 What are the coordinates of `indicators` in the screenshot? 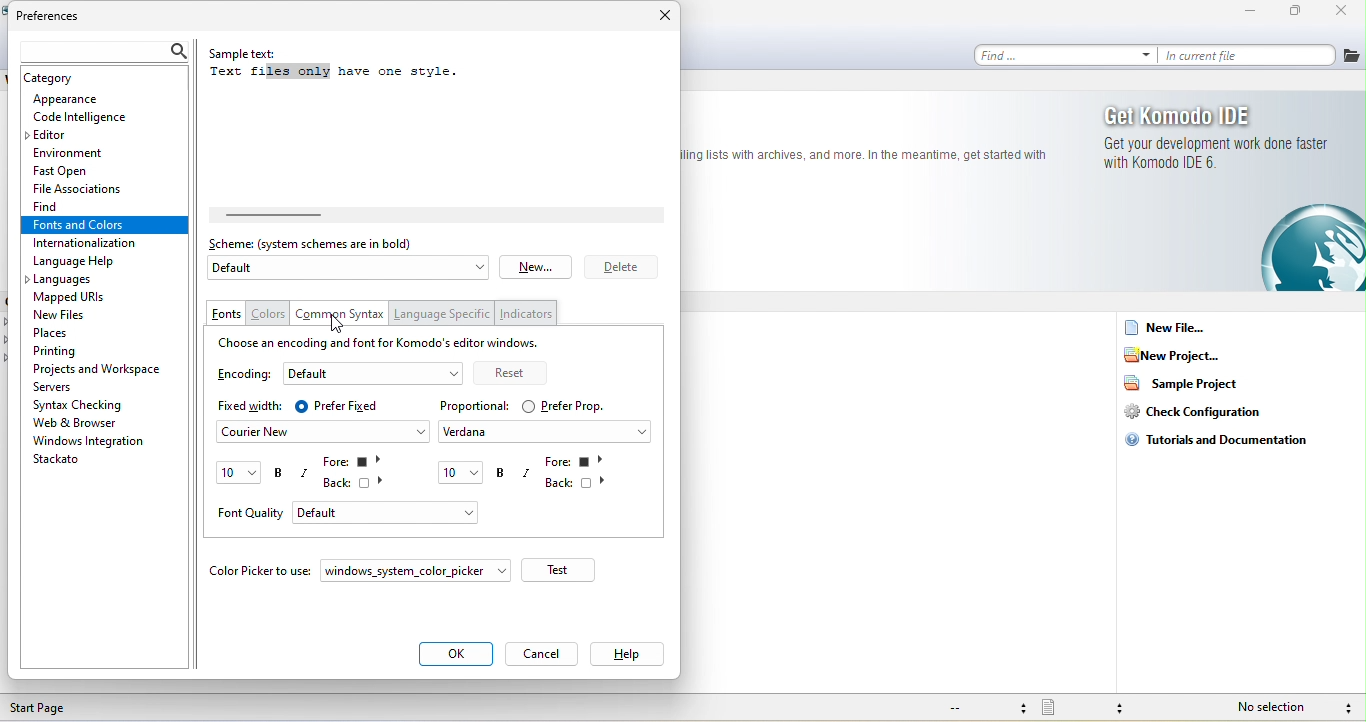 It's located at (530, 310).